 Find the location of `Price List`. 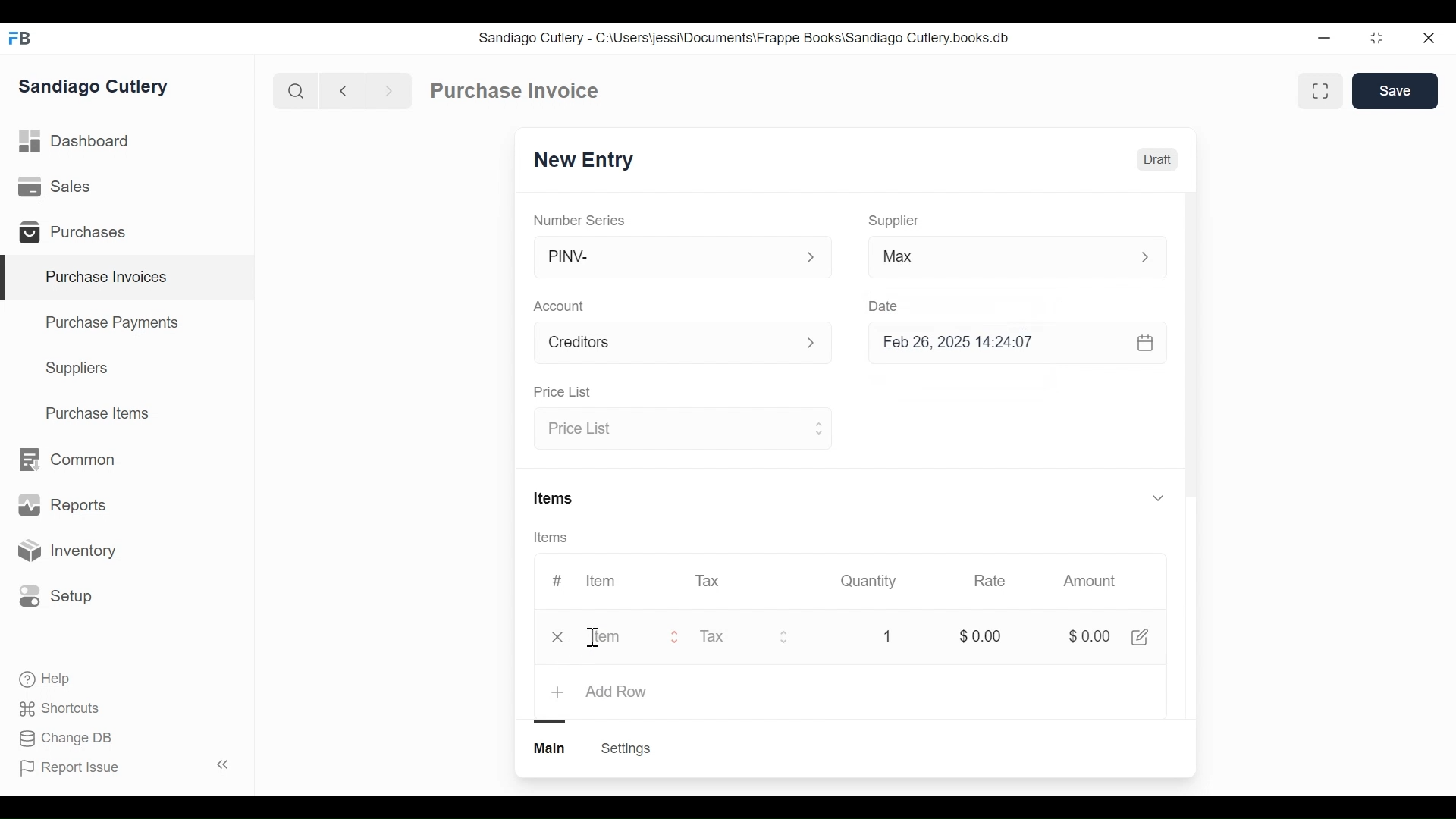

Price List is located at coordinates (669, 430).